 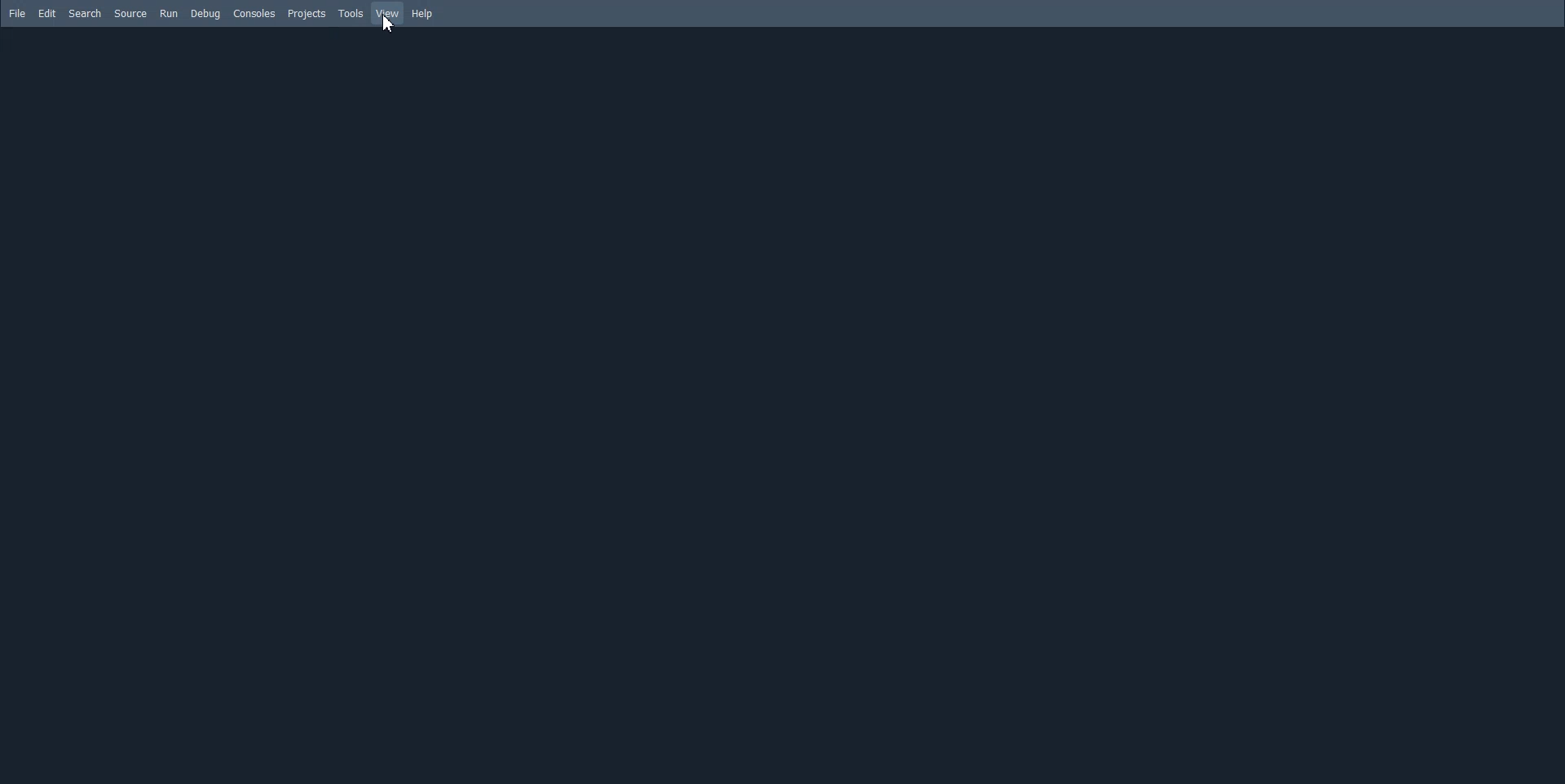 What do you see at coordinates (254, 14) in the screenshot?
I see `Consoles` at bounding box center [254, 14].